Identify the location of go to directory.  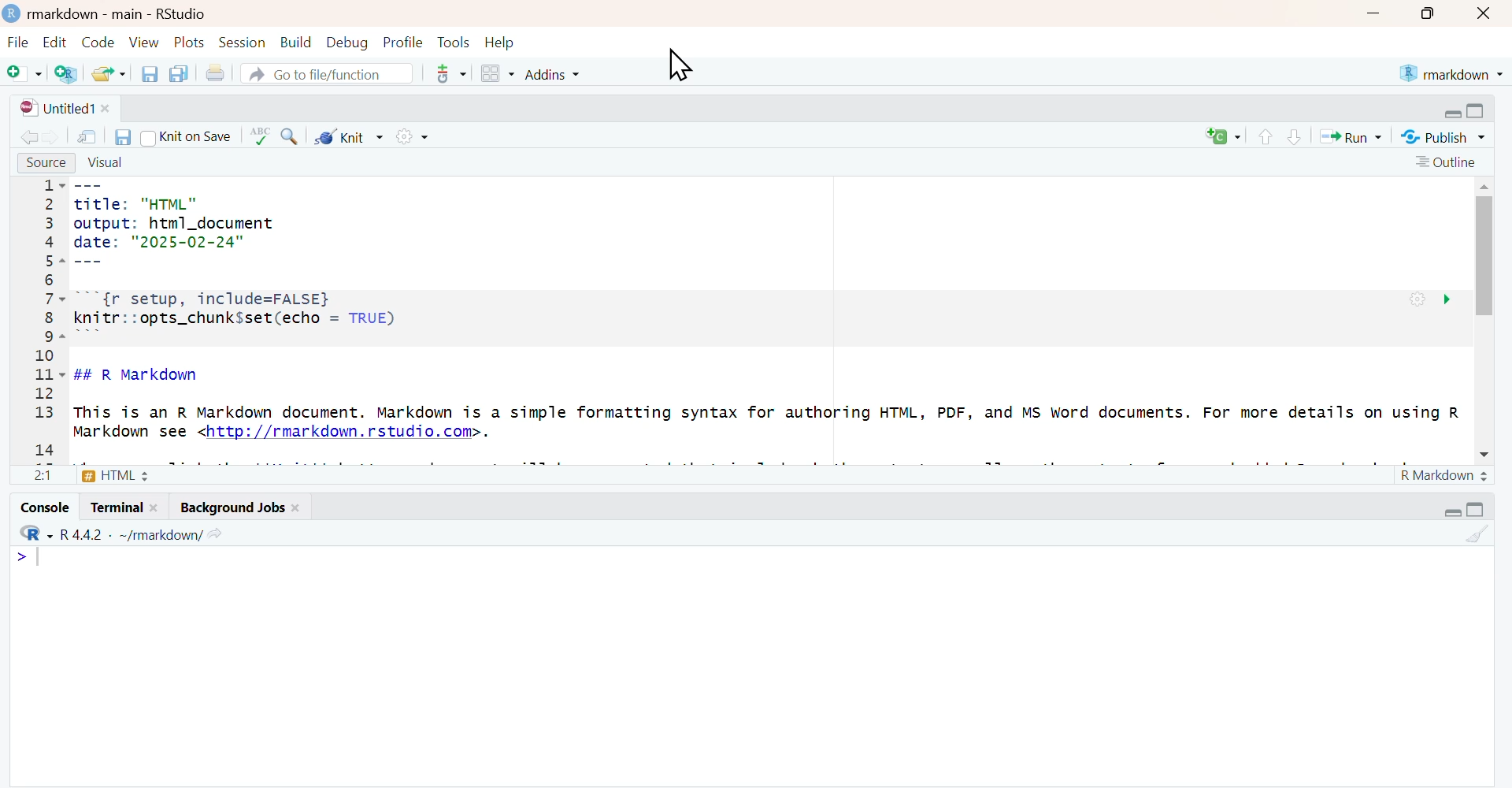
(215, 535).